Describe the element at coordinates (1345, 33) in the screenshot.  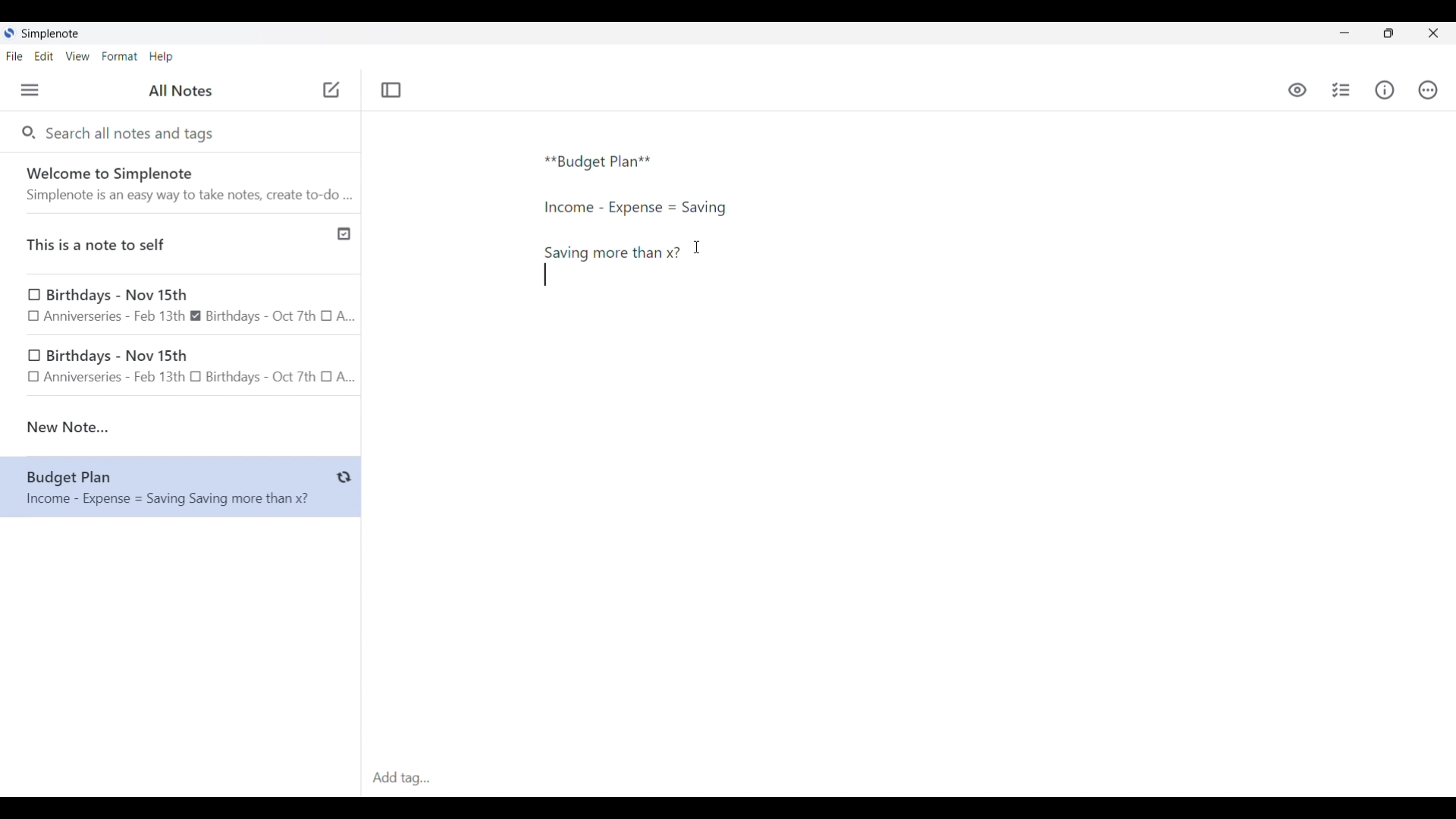
I see `Minimize` at that location.